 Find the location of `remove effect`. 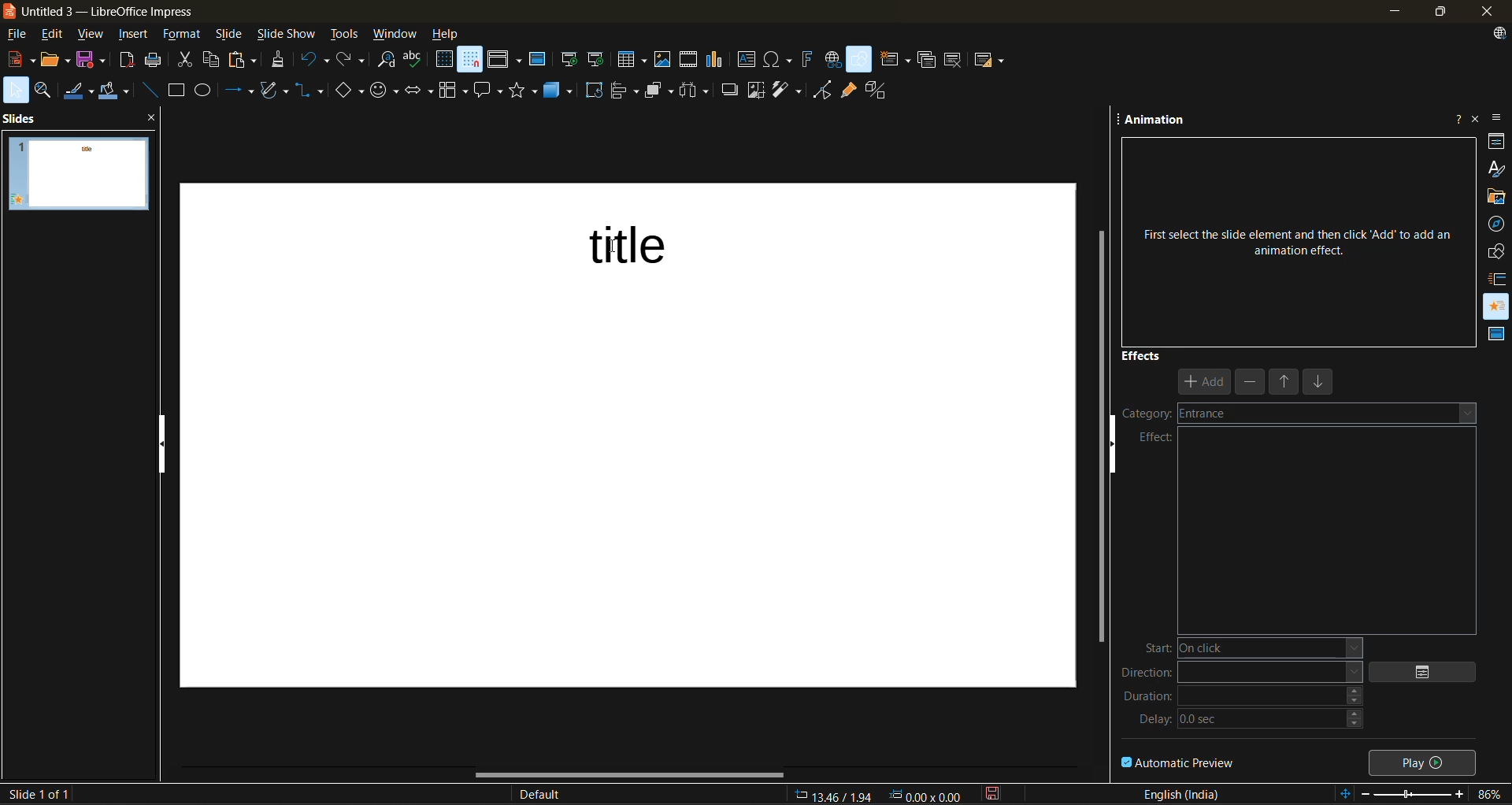

remove effect is located at coordinates (1251, 381).